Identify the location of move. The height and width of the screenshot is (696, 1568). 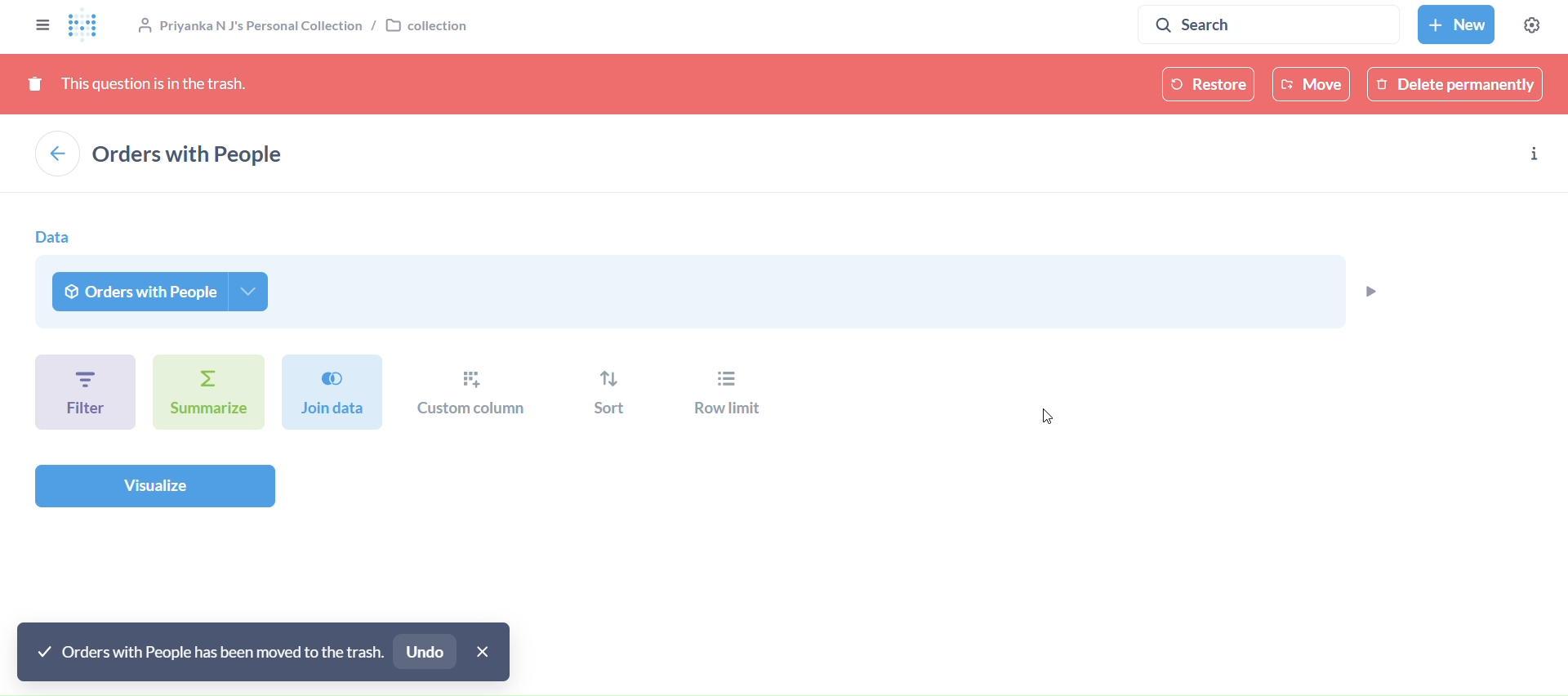
(1311, 84).